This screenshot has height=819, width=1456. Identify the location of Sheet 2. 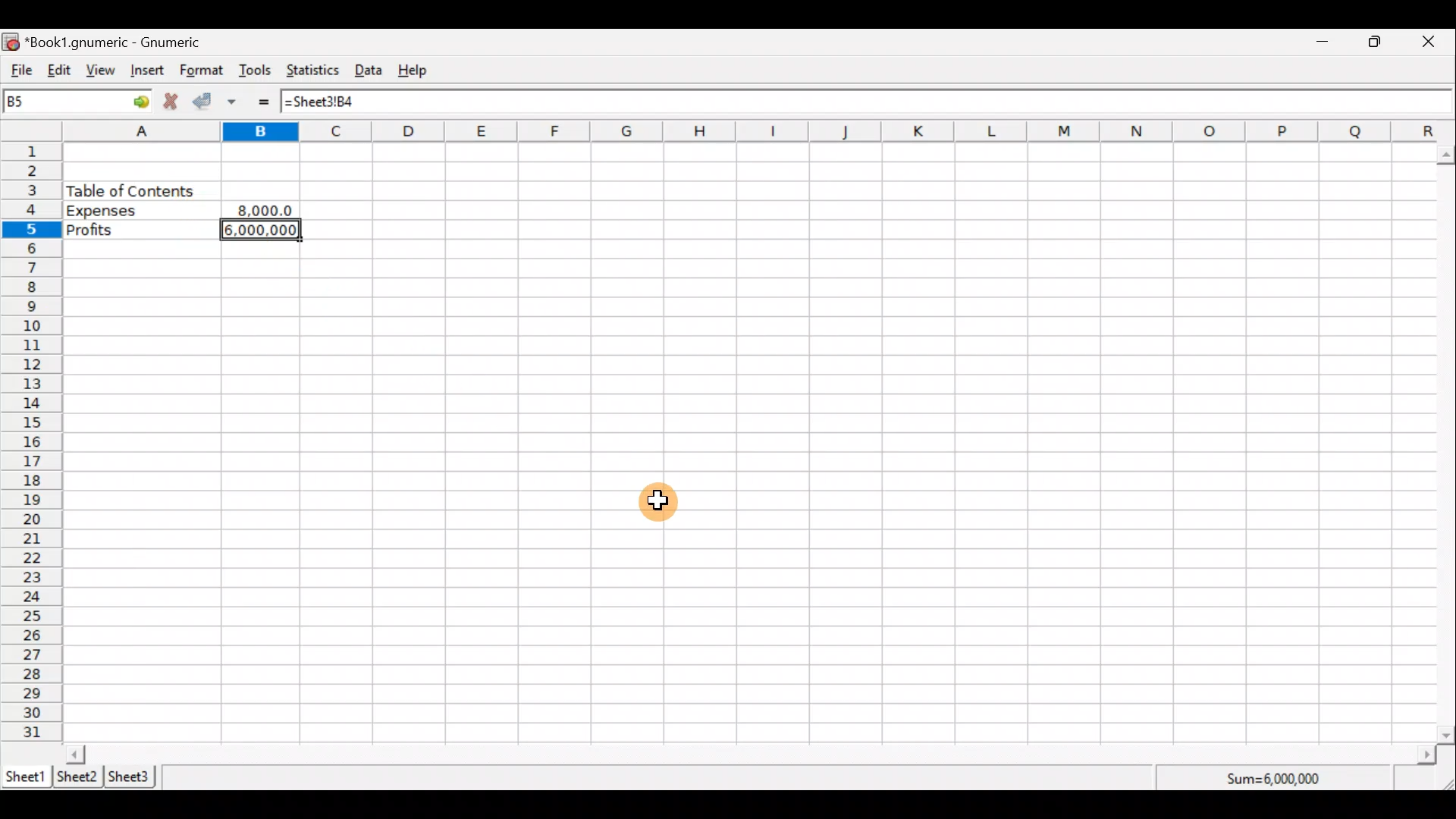
(77, 778).